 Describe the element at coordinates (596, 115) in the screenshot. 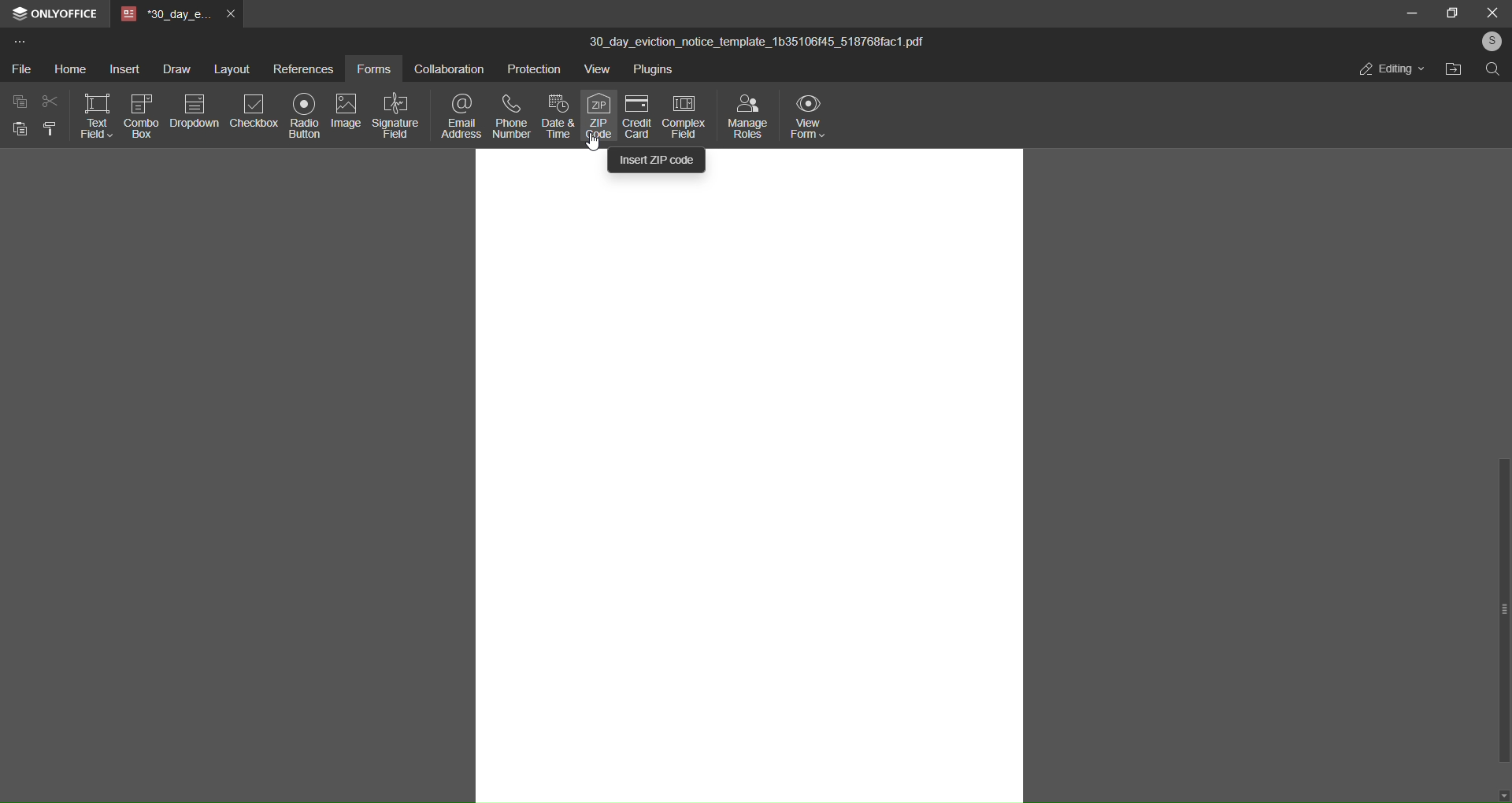

I see `zip code` at that location.